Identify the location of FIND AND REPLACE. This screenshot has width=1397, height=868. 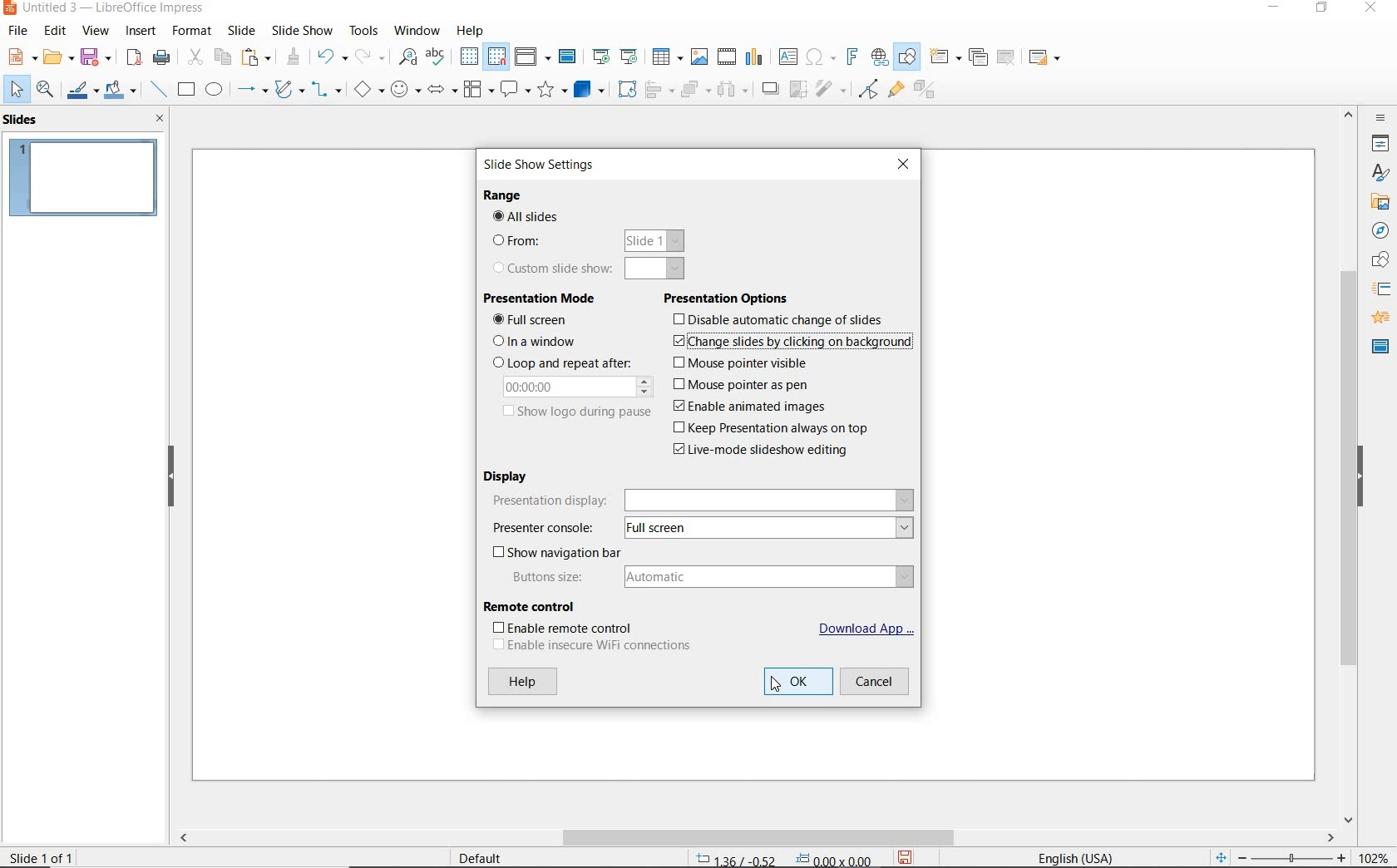
(407, 58).